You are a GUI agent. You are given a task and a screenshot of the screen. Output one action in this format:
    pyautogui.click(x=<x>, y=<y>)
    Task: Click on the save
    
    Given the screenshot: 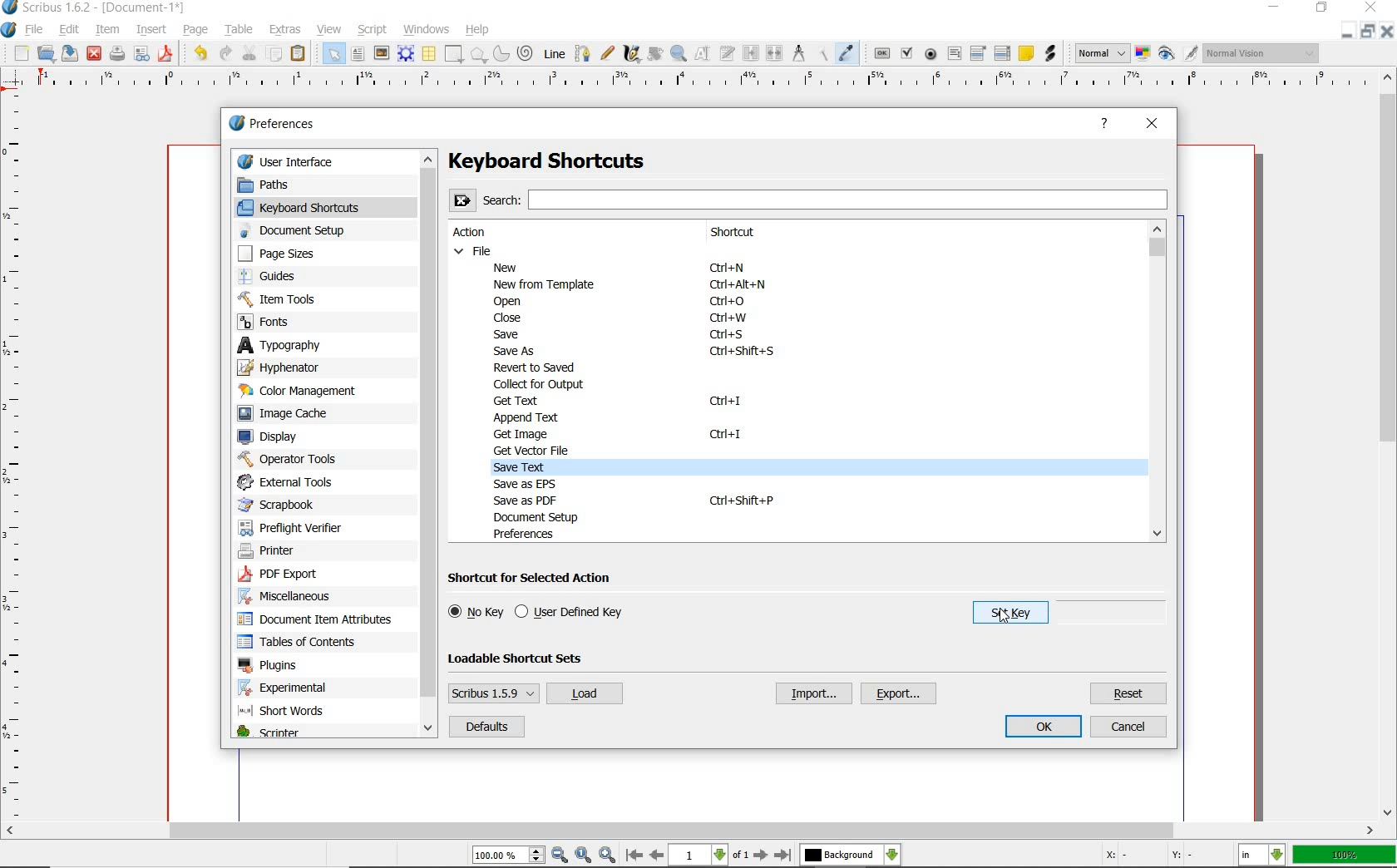 What is the action you would take?
    pyautogui.click(x=511, y=333)
    